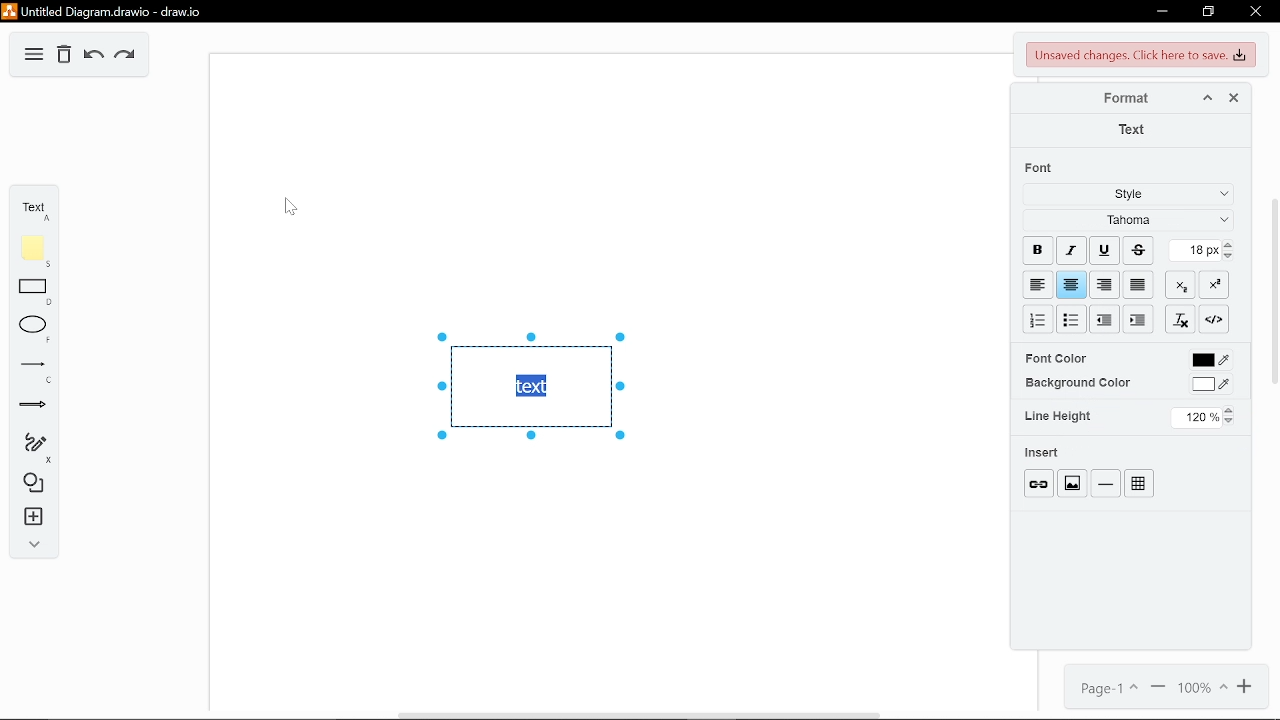  What do you see at coordinates (30, 407) in the screenshot?
I see `arrows` at bounding box center [30, 407].